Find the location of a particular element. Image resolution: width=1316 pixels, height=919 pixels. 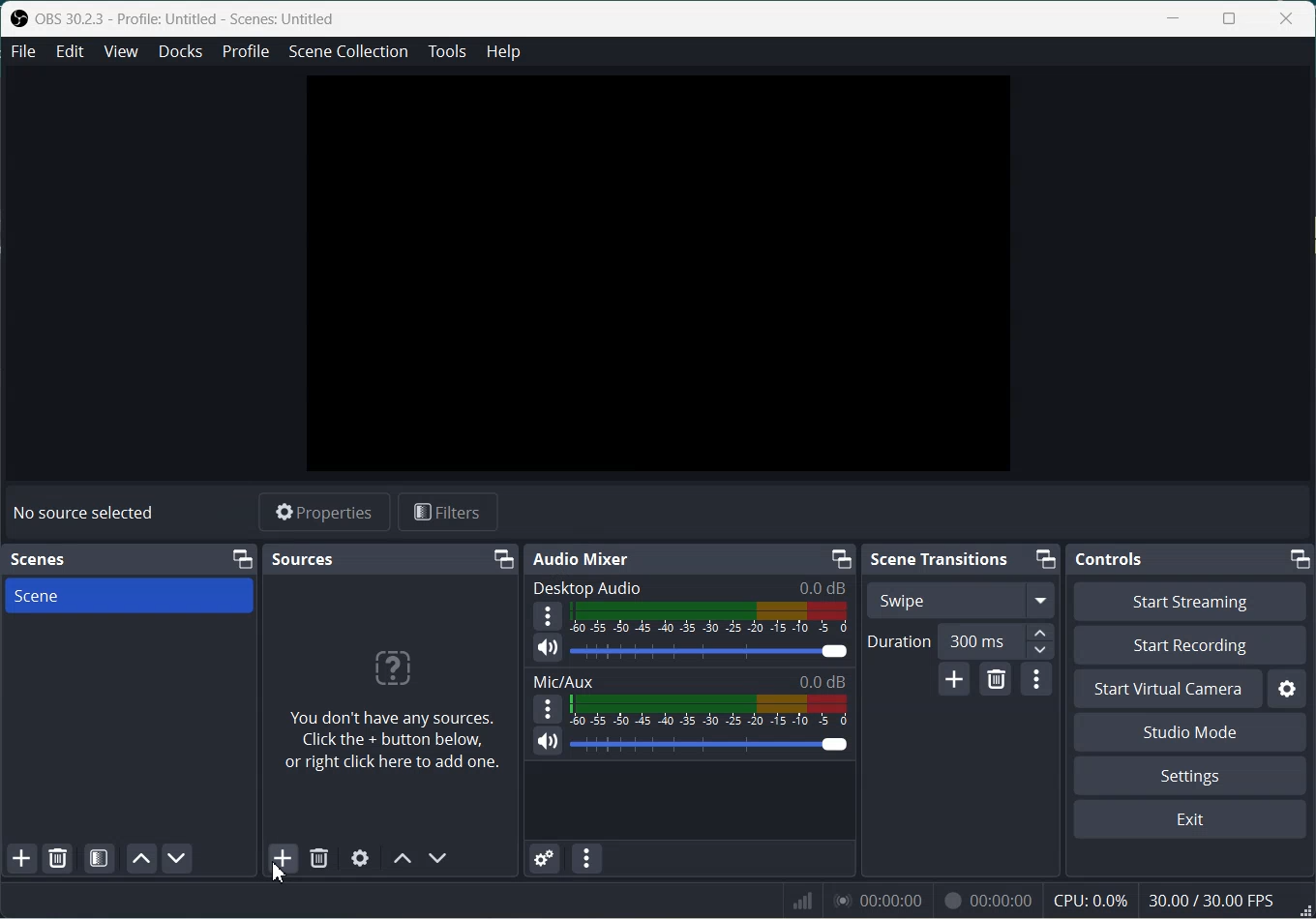

Window Adjuster is located at coordinates (1303, 909).